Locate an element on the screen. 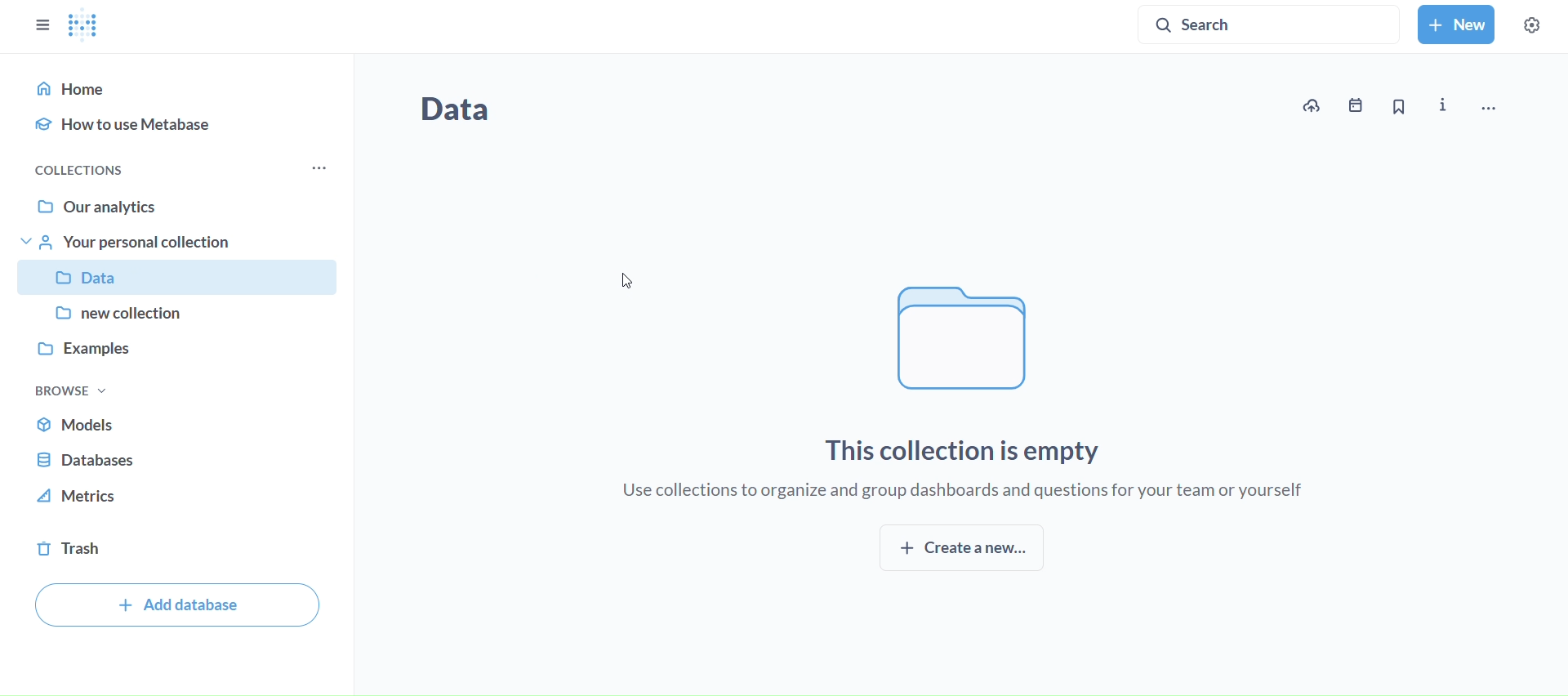 The image size is (1568, 696). home is located at coordinates (182, 84).